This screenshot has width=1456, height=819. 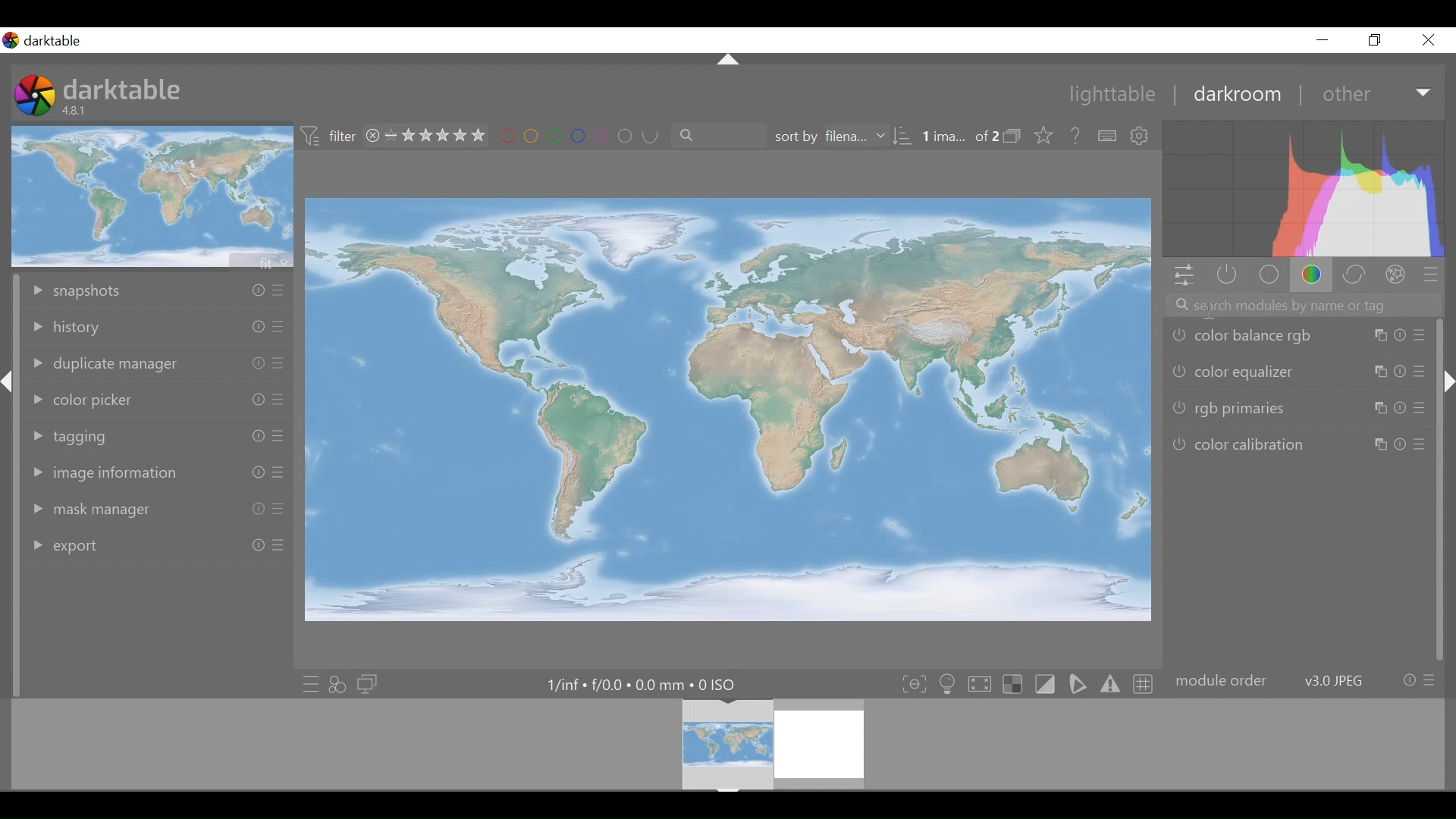 I want to click on Filter, so click(x=331, y=137).